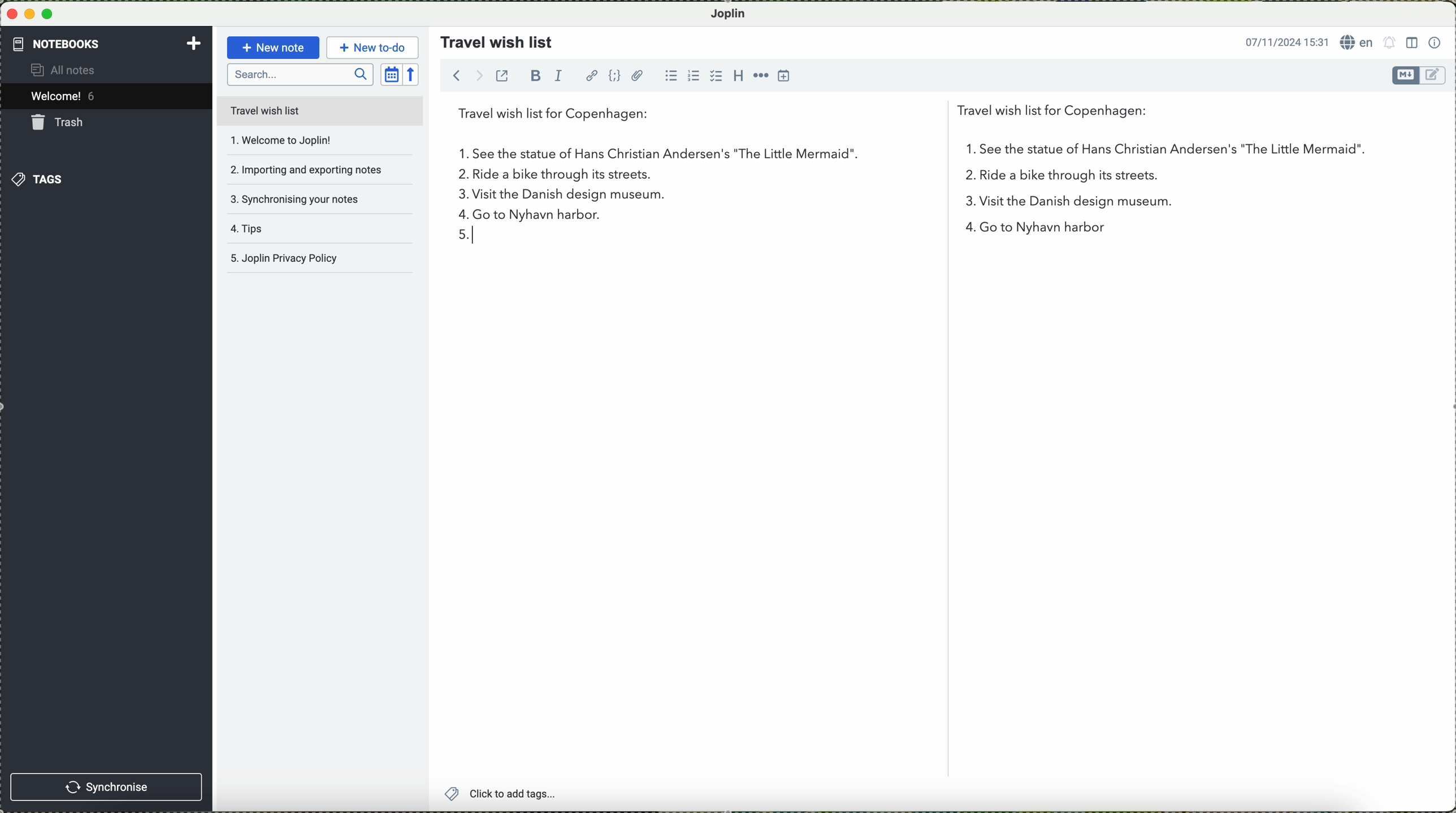 The height and width of the screenshot is (813, 1456). Describe the element at coordinates (616, 76) in the screenshot. I see `code` at that location.